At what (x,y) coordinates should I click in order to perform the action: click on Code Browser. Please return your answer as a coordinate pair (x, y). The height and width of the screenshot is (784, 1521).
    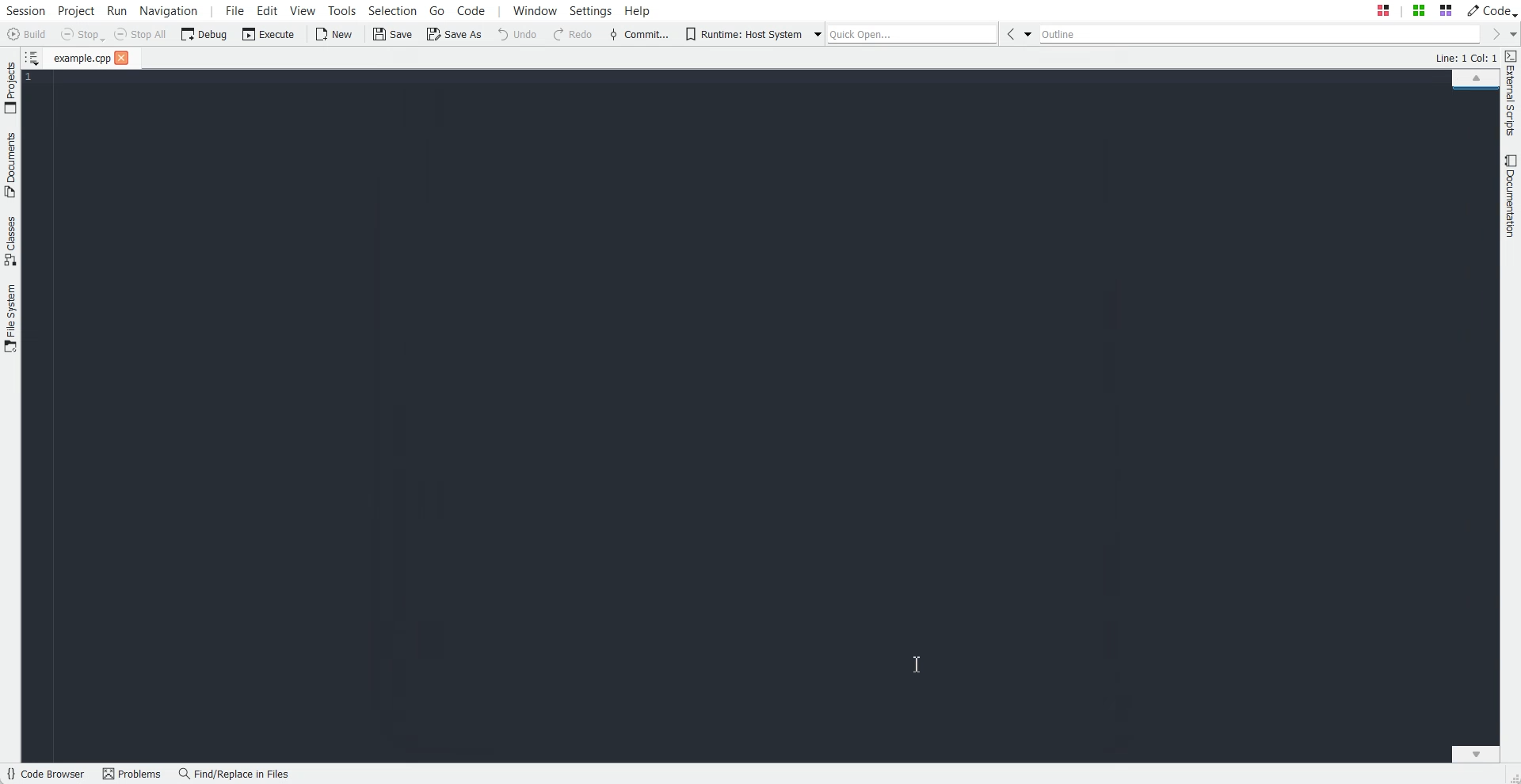
    Looking at the image, I should click on (48, 774).